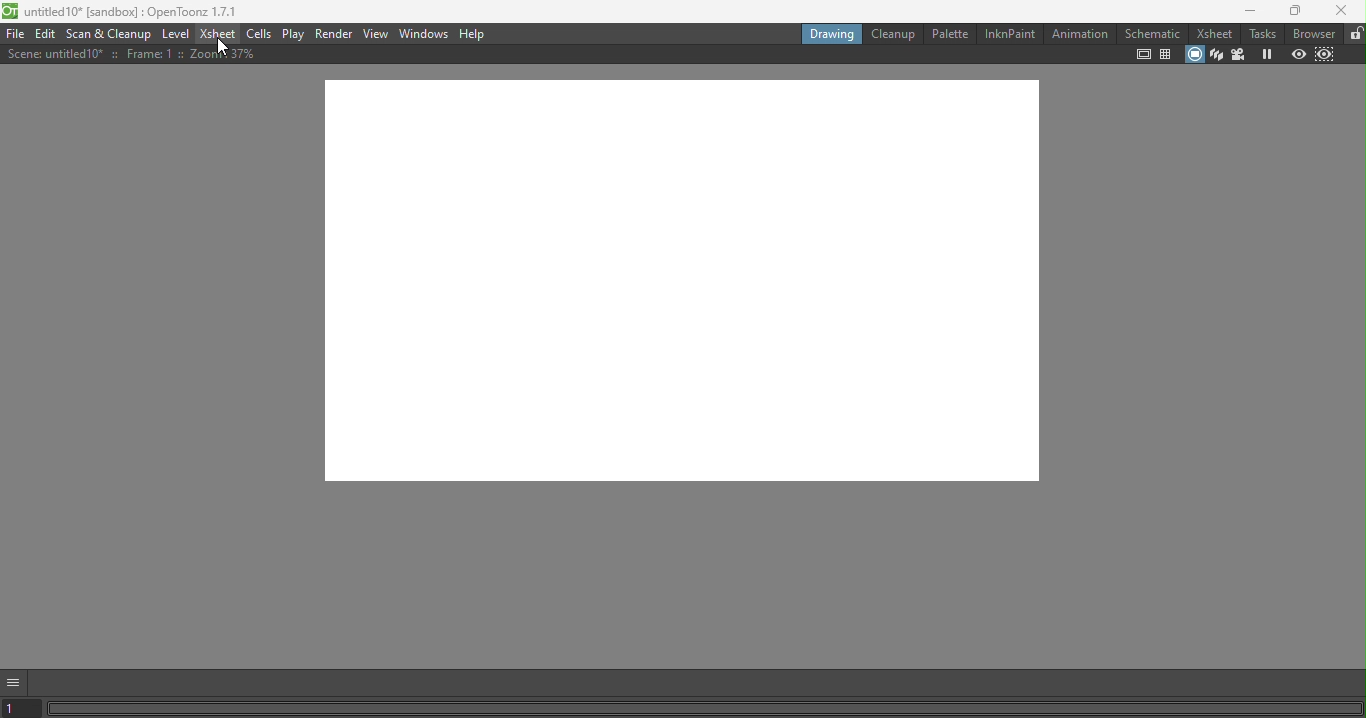  I want to click on Set the current frame, so click(22, 708).